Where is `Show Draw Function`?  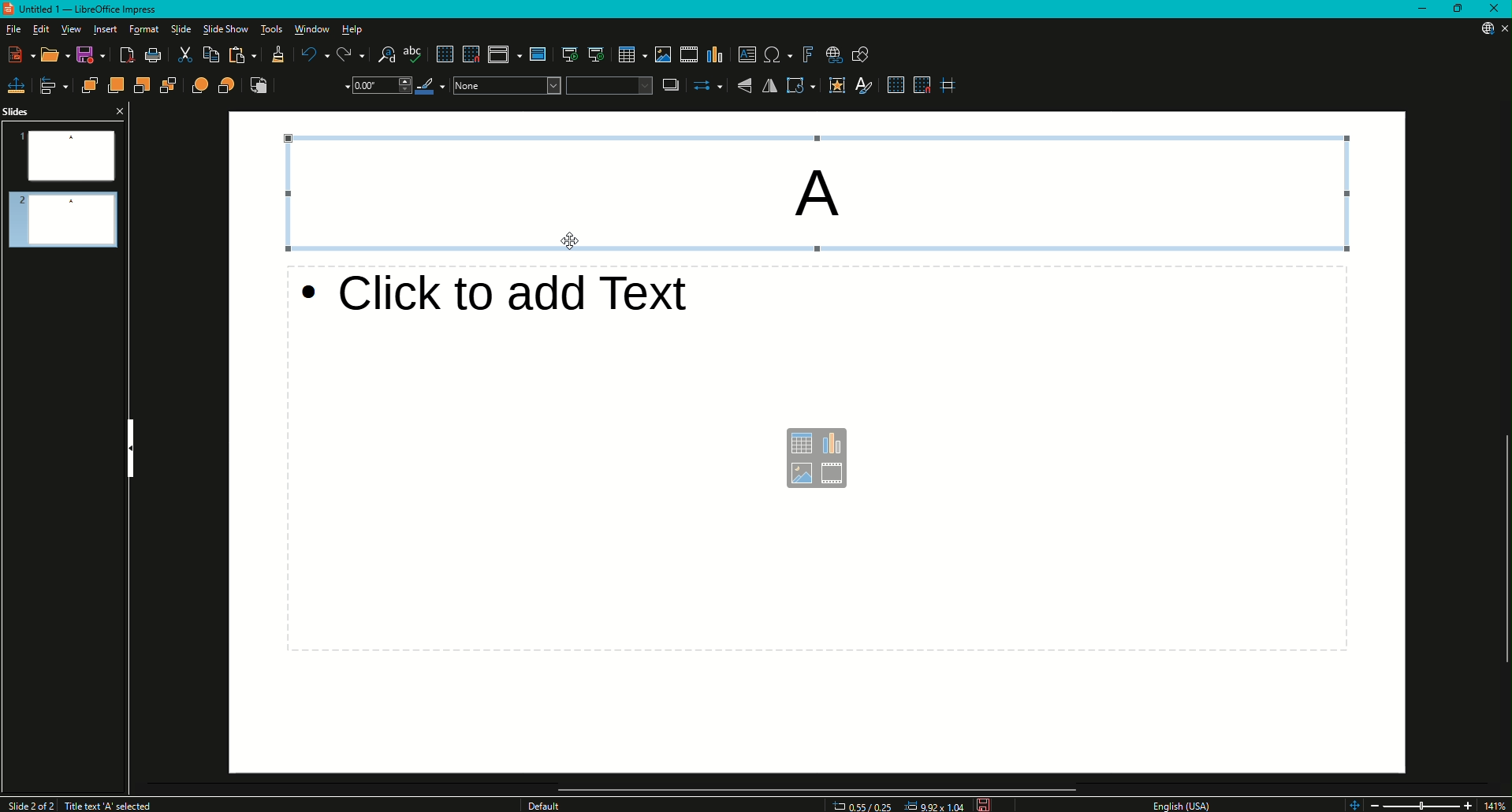 Show Draw Function is located at coordinates (833, 54).